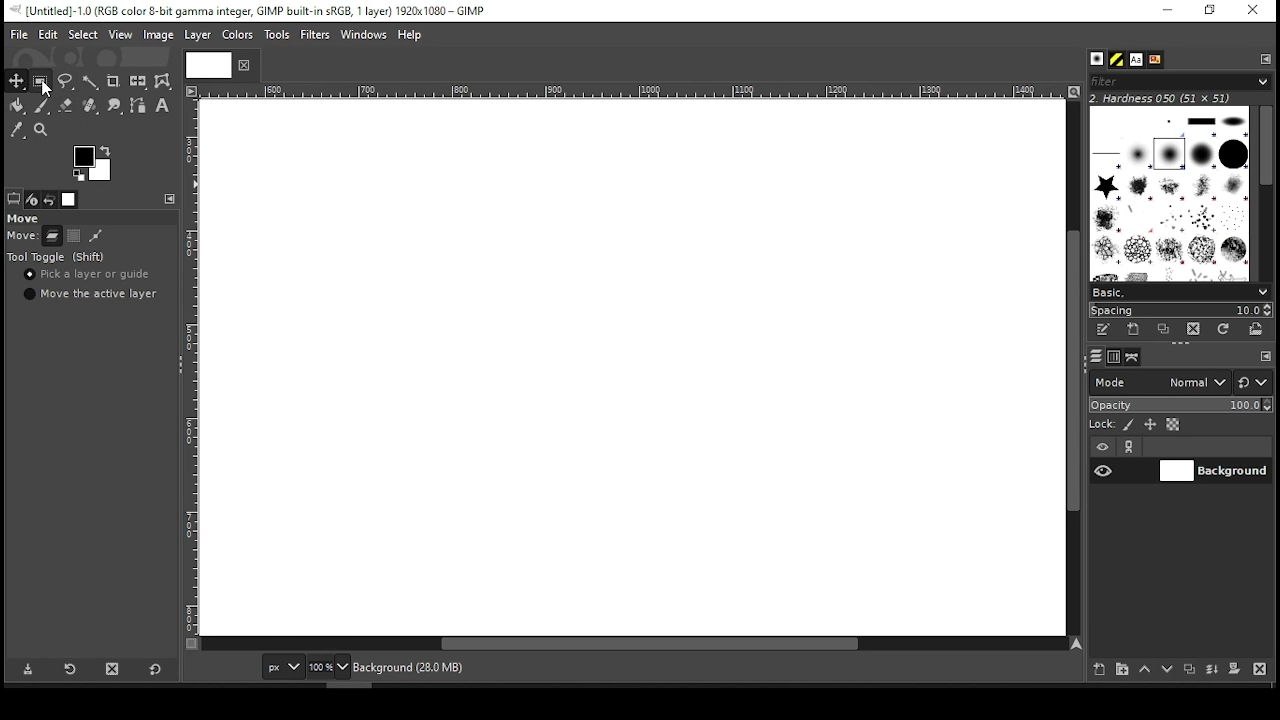 This screenshot has height=720, width=1280. What do you see at coordinates (410, 36) in the screenshot?
I see `help` at bounding box center [410, 36].